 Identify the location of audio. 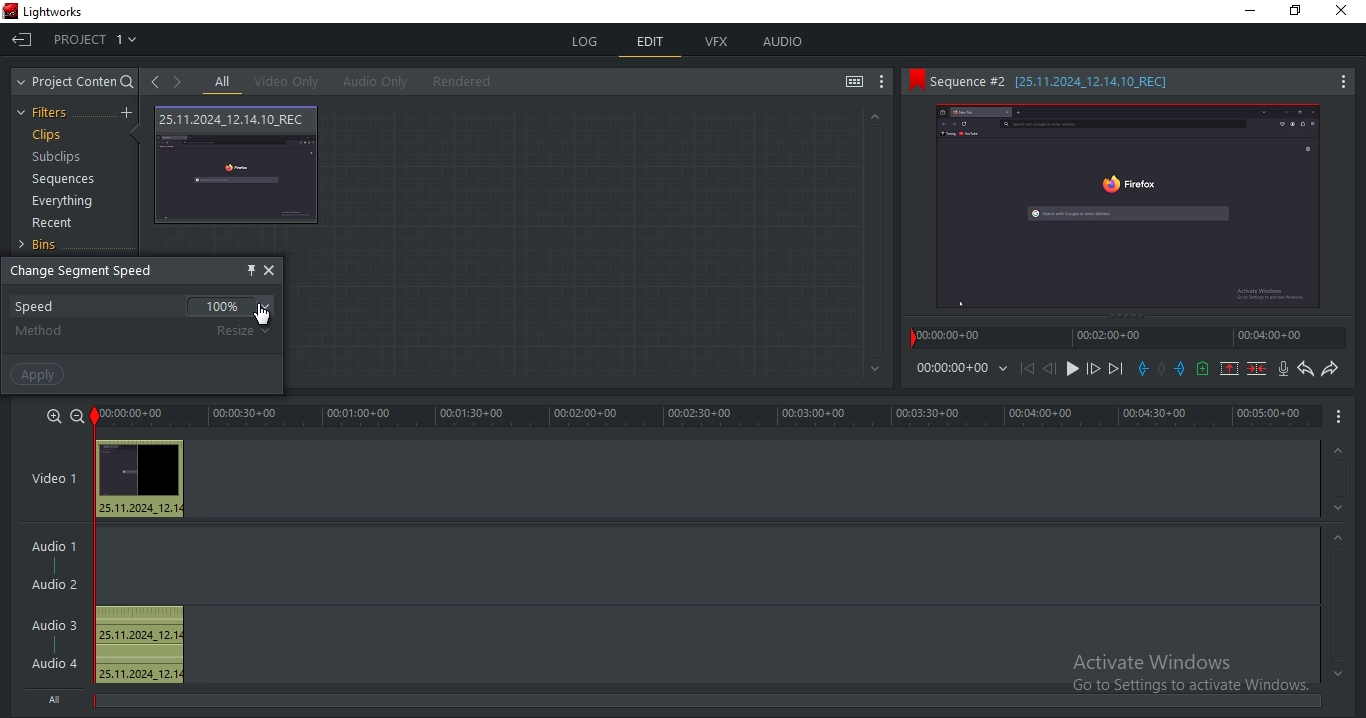
(141, 479).